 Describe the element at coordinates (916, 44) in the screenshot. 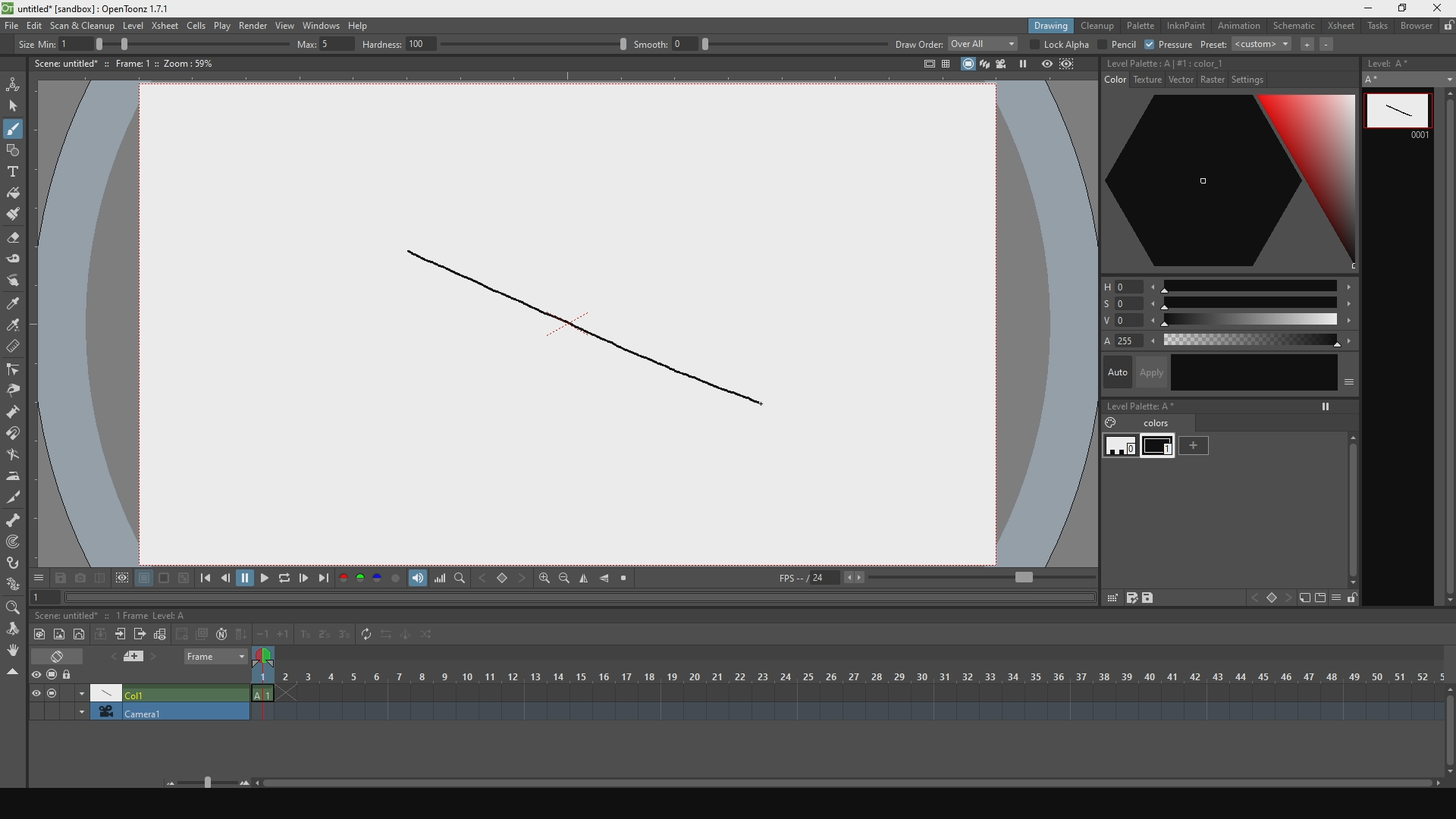

I see `draw order` at that location.